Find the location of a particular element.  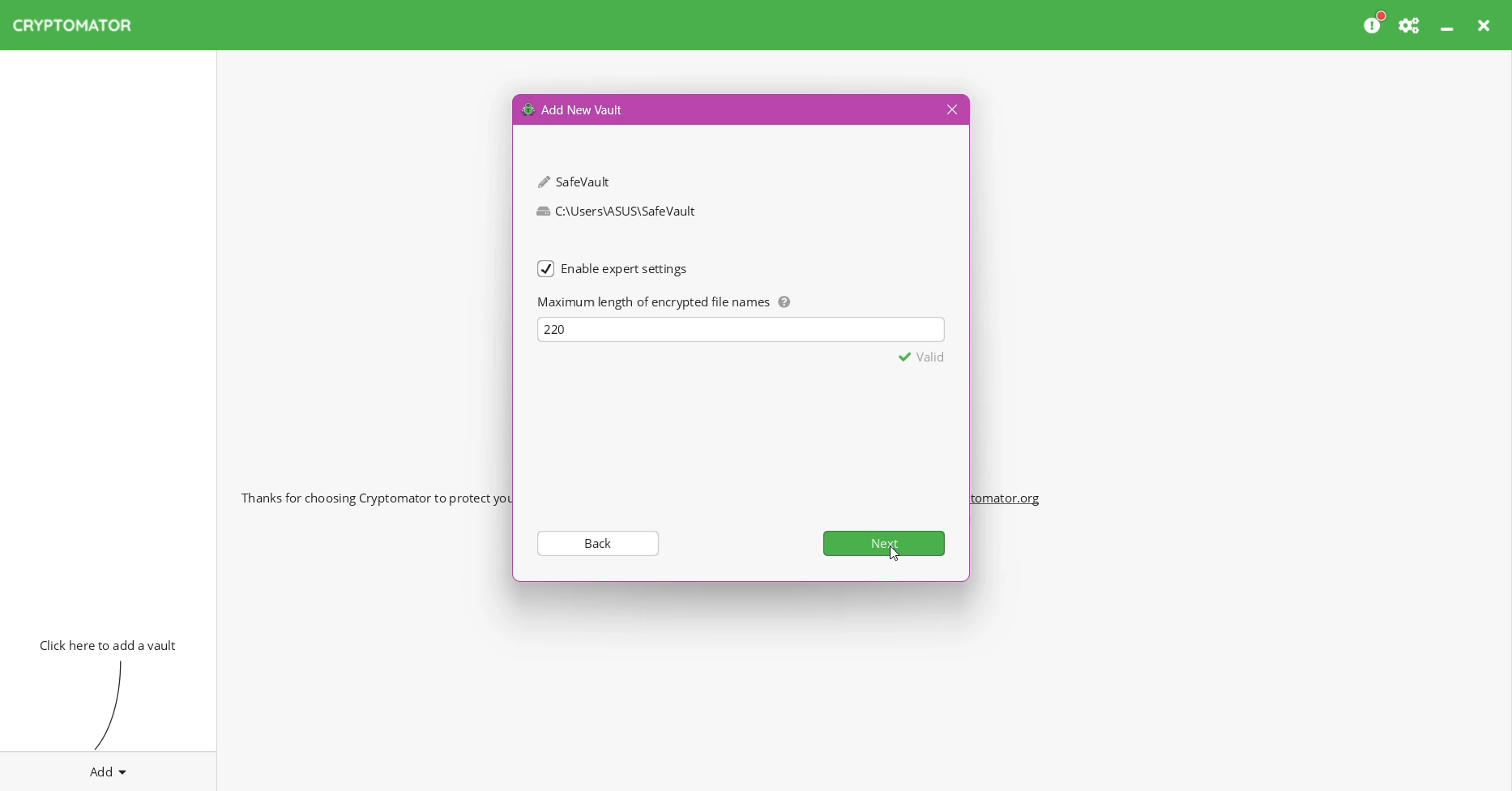

(un)select Enable expert settings is located at coordinates (612, 269).